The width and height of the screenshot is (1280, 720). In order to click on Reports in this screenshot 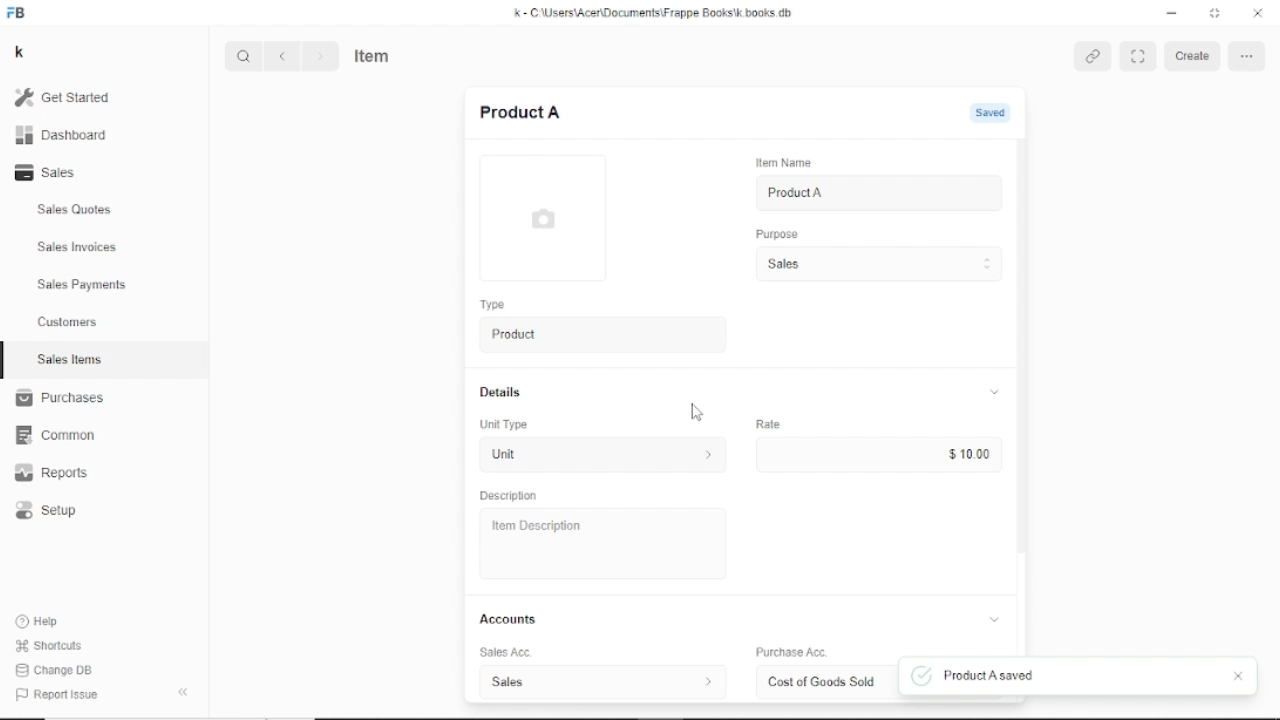, I will do `click(52, 472)`.